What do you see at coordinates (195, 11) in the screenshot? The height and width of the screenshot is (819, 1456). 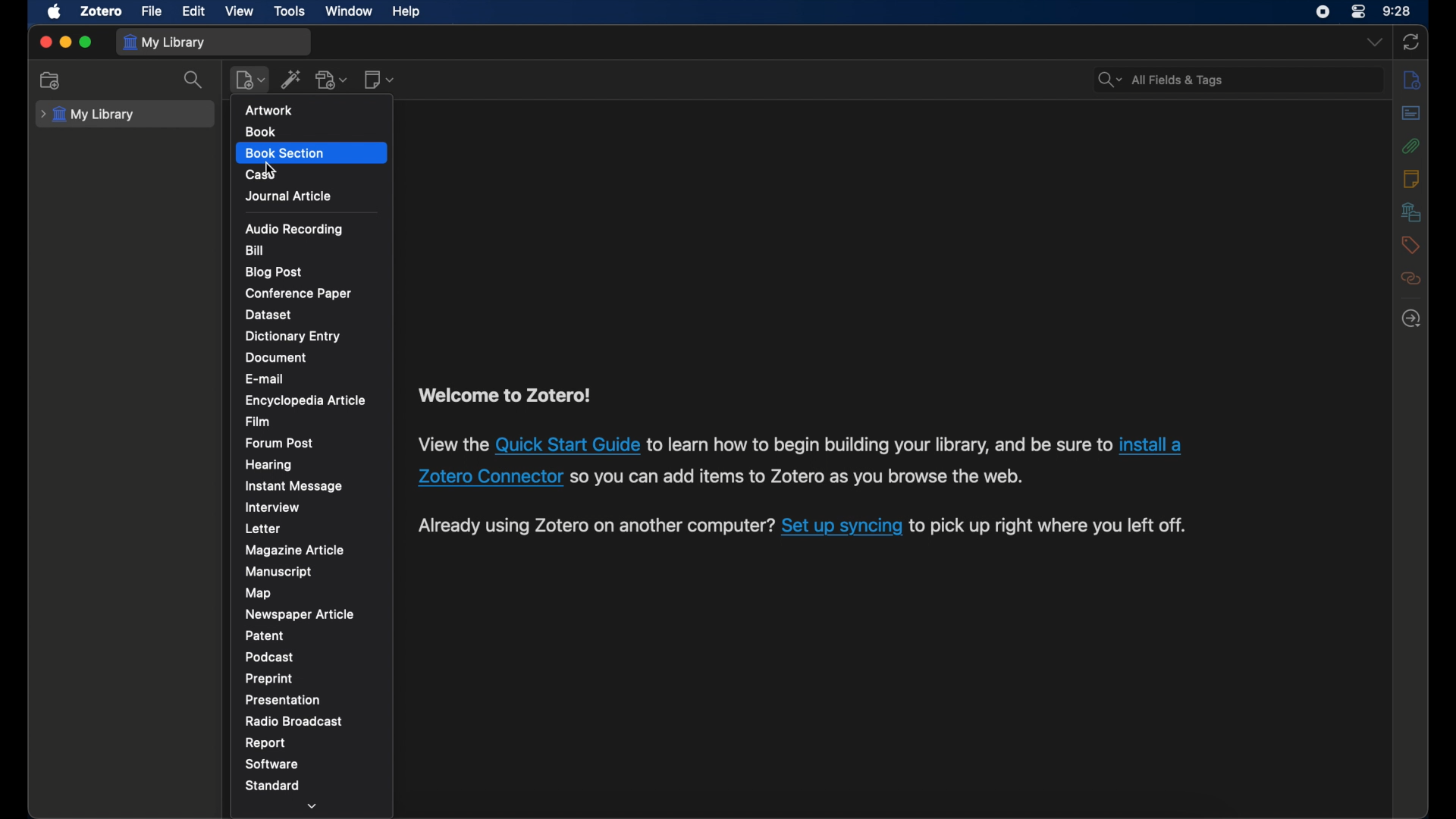 I see `edit` at bounding box center [195, 11].